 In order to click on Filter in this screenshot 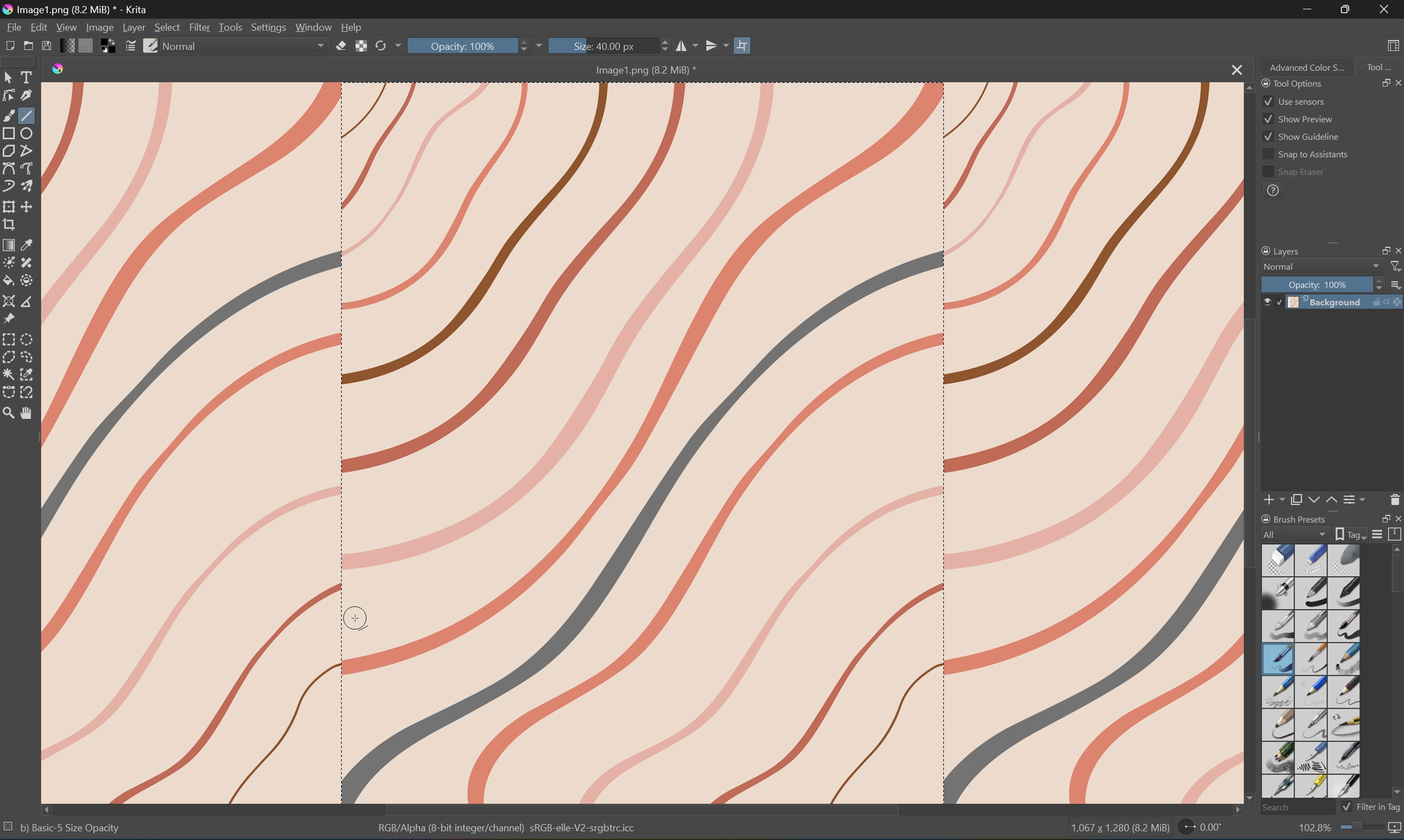, I will do `click(1396, 267)`.